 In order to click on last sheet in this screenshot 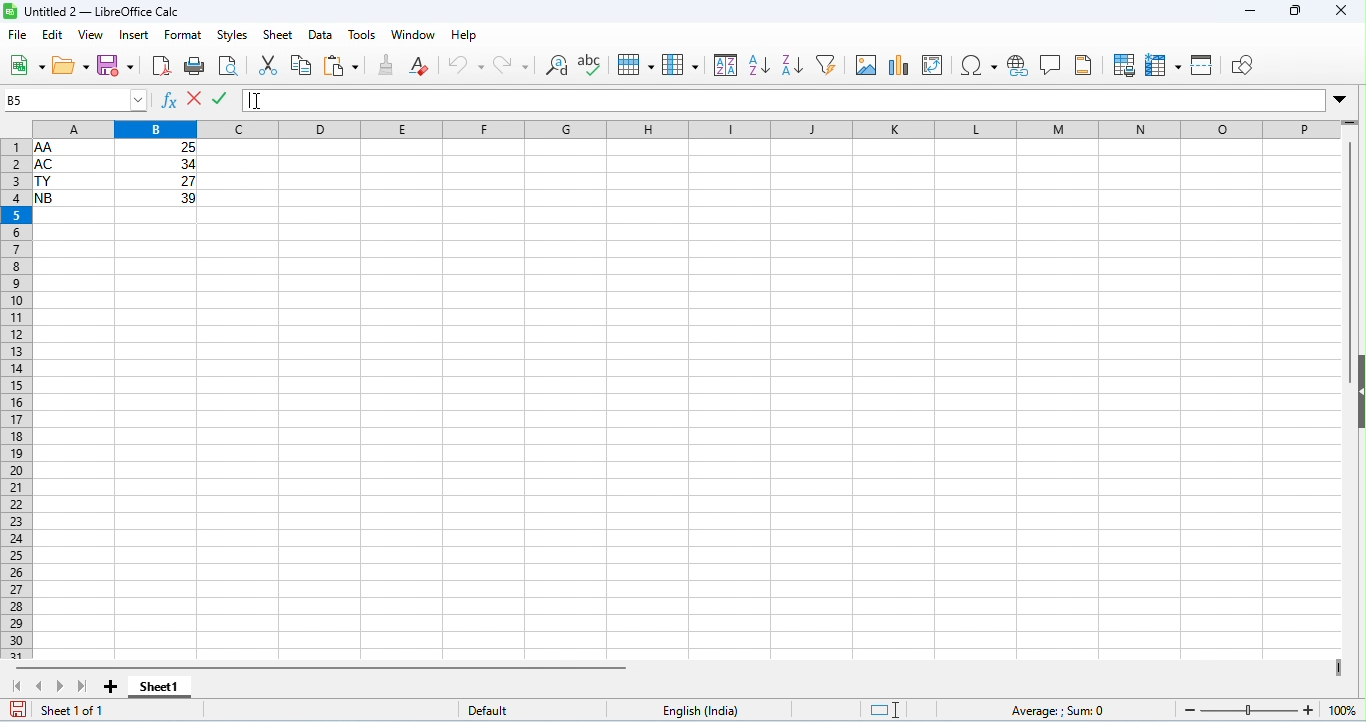, I will do `click(80, 684)`.